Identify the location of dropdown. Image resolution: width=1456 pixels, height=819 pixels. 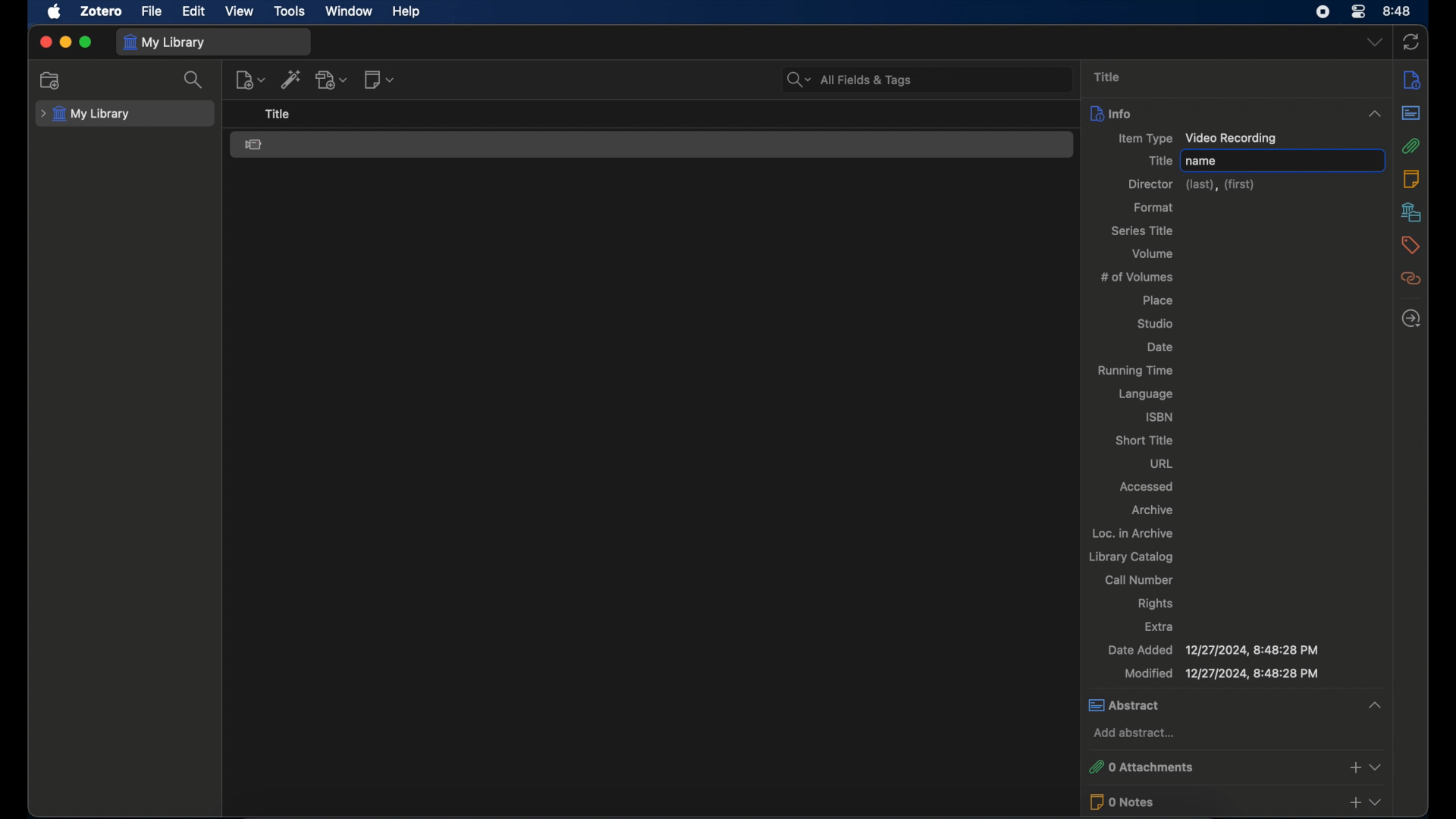
(1375, 43).